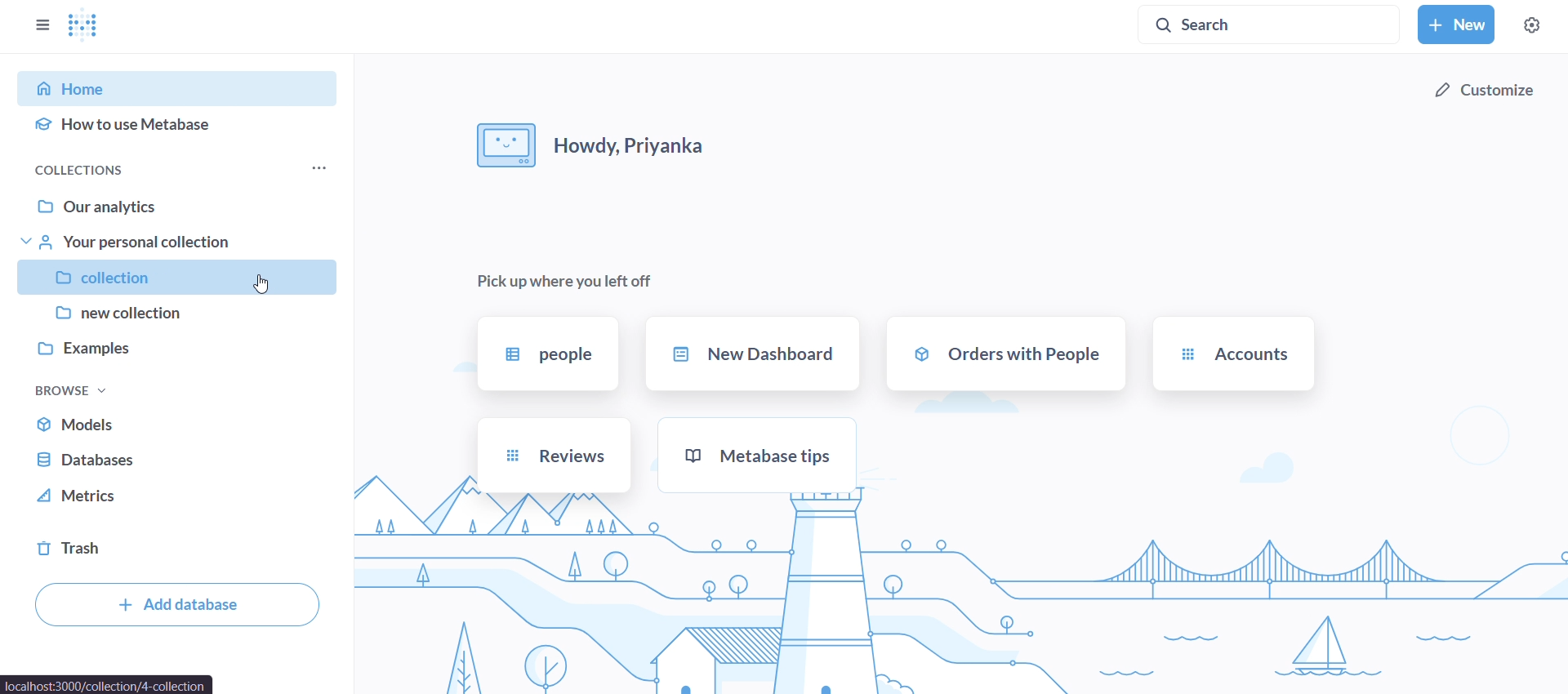 This screenshot has height=694, width=1568. Describe the element at coordinates (177, 242) in the screenshot. I see `your personal collection` at that location.